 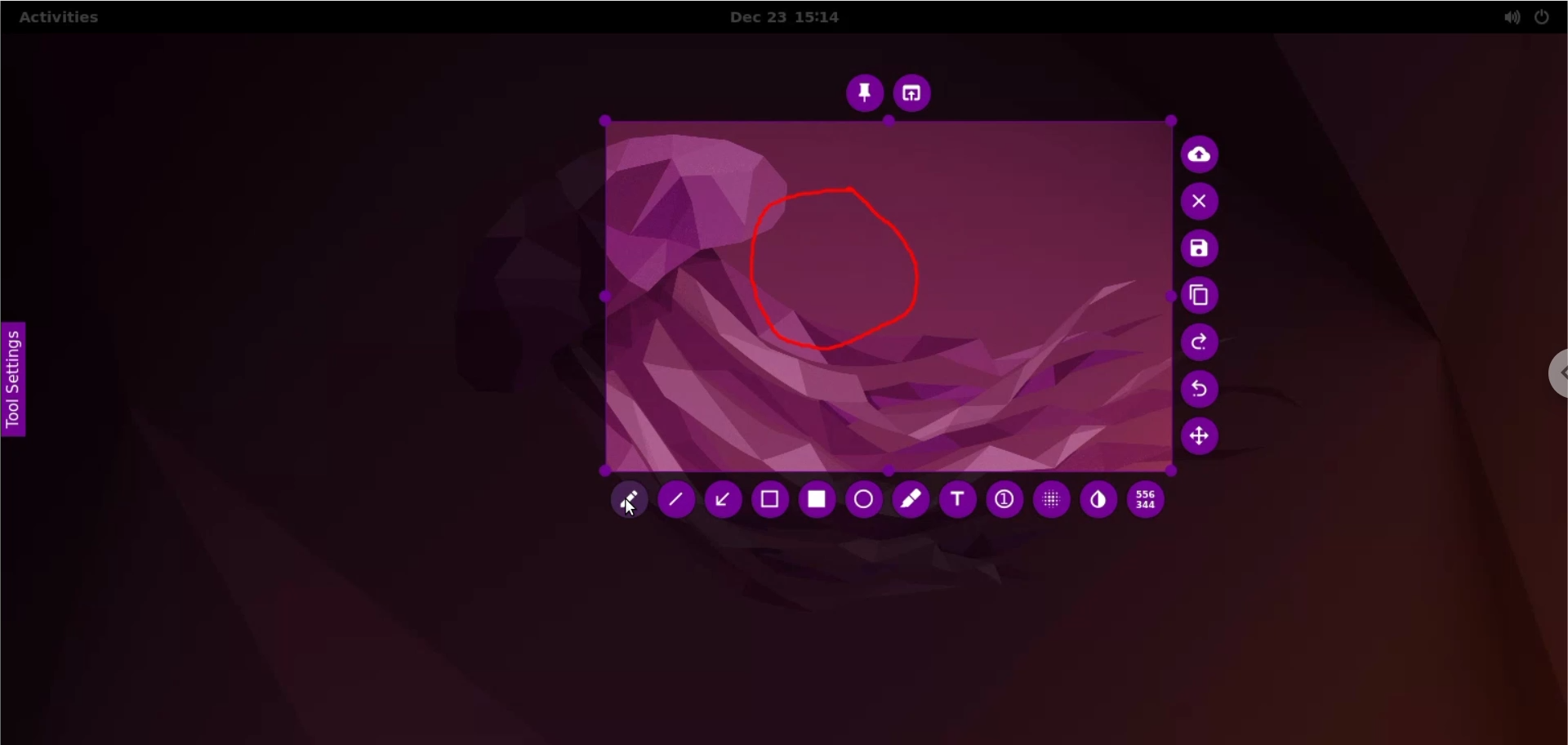 I want to click on freehand shape, so click(x=837, y=273).